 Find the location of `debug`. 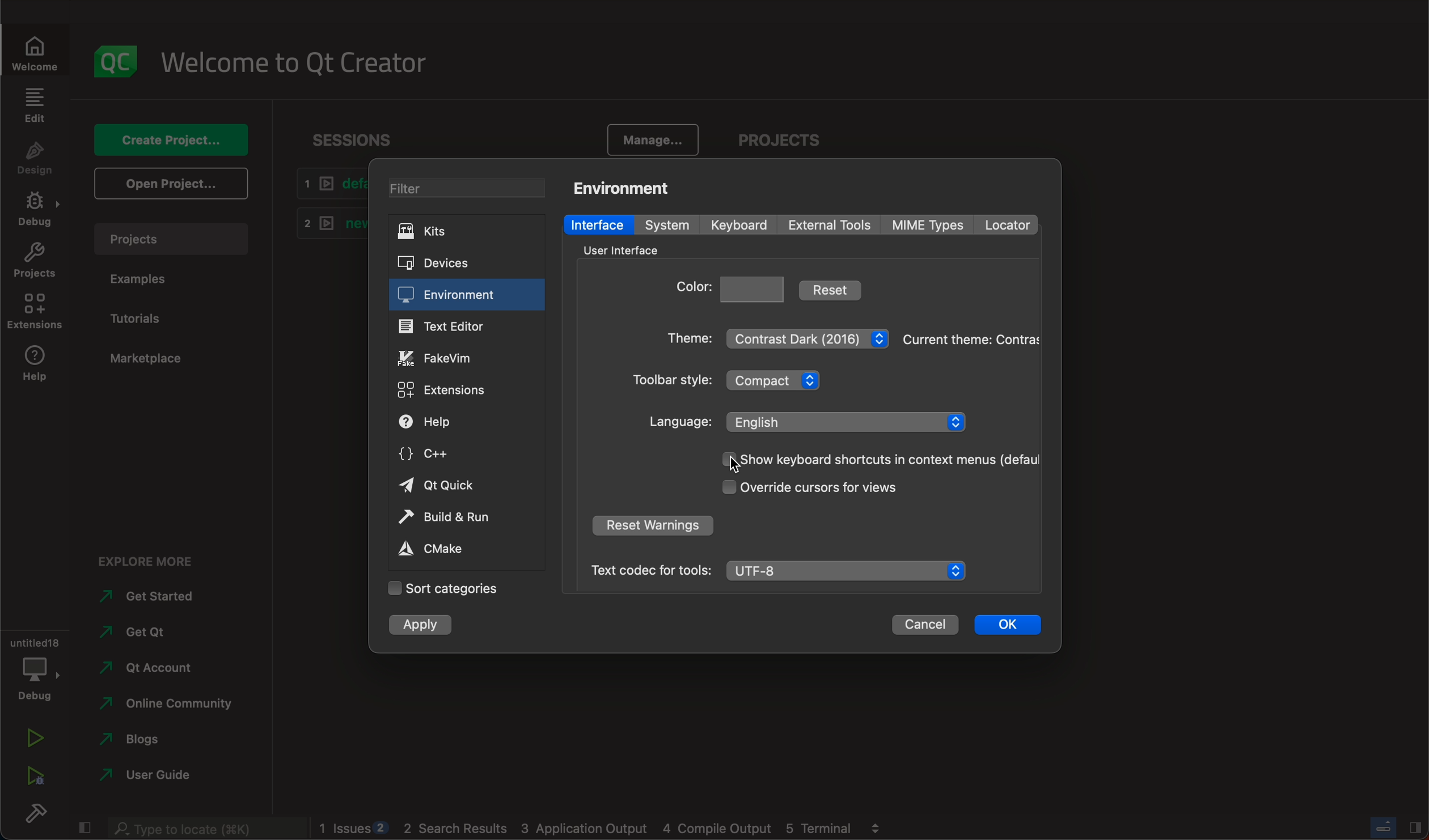

debug is located at coordinates (33, 664).